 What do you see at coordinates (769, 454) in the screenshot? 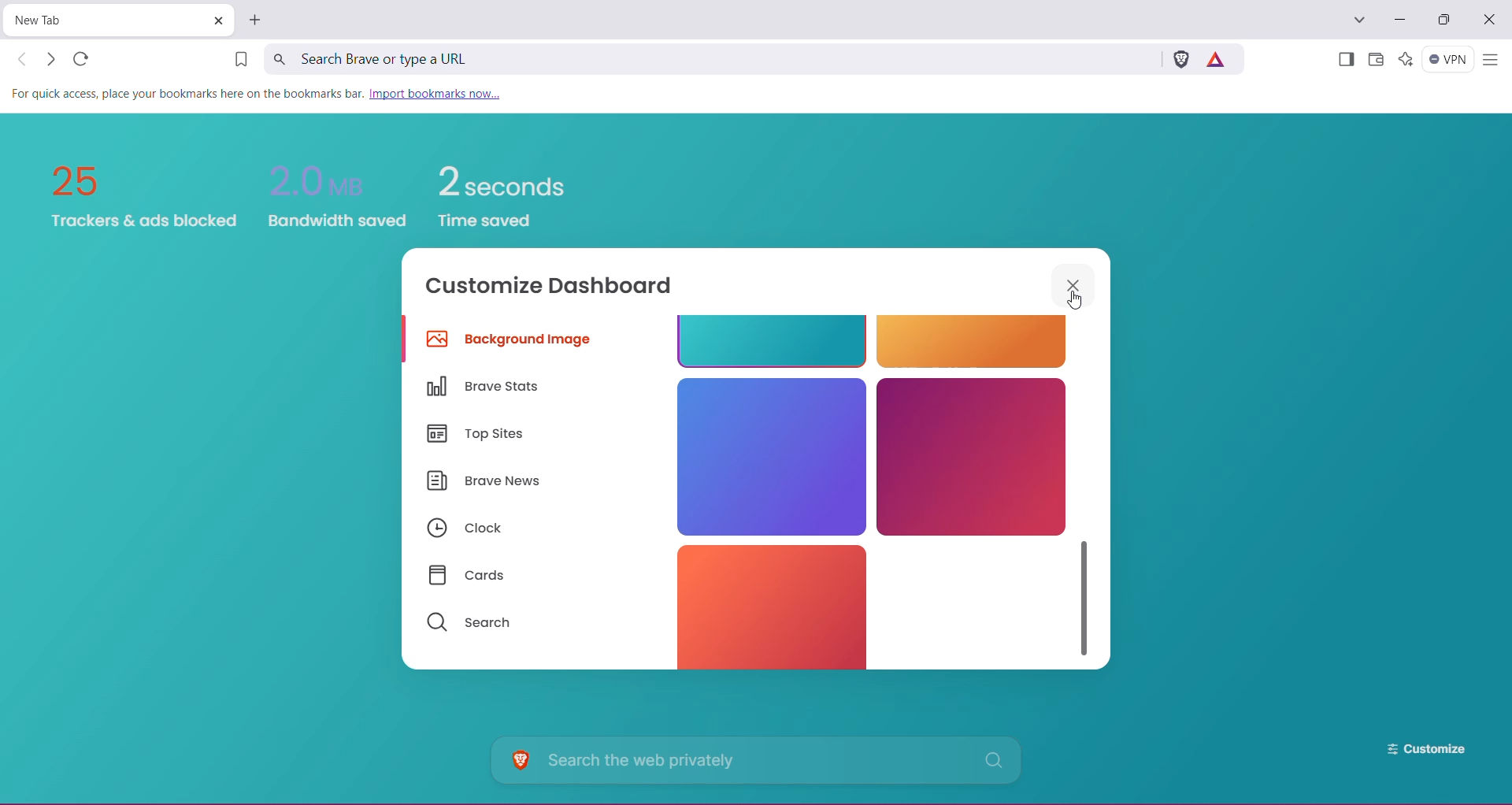
I see `color 1 #5b71de` at bounding box center [769, 454].